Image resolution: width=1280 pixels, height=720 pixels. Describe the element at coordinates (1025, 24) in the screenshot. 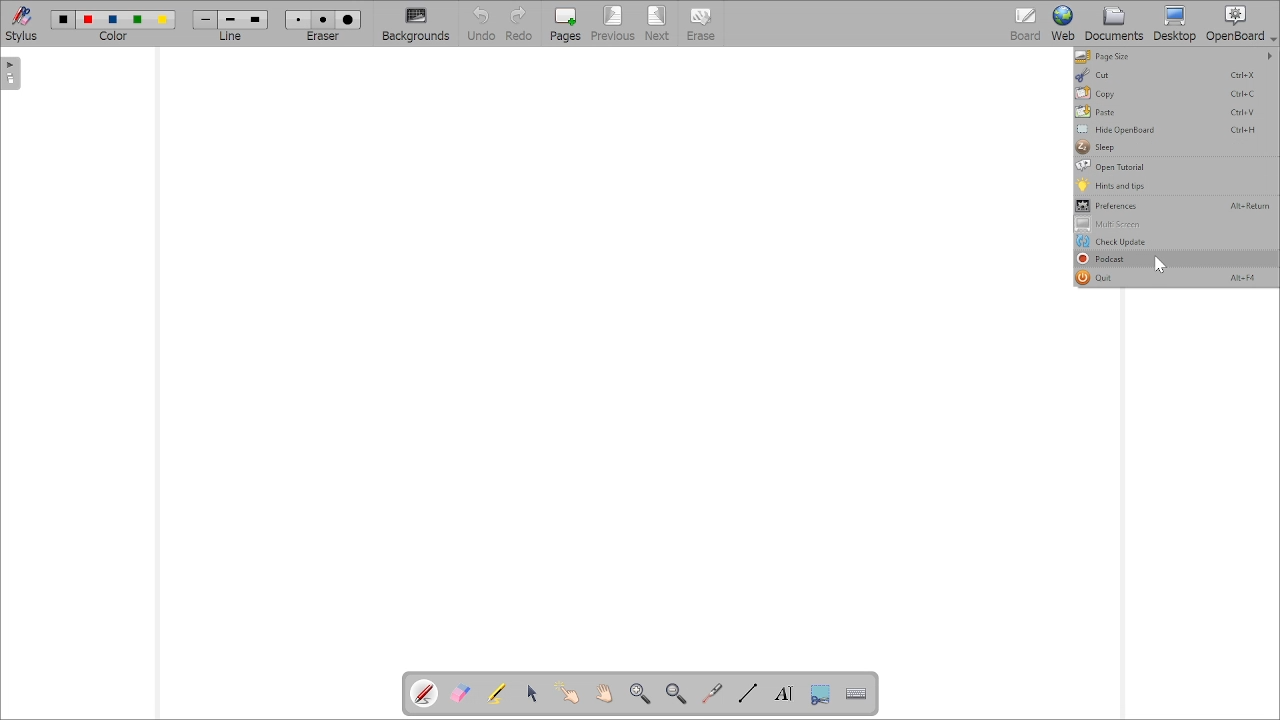

I see `bOARD` at that location.